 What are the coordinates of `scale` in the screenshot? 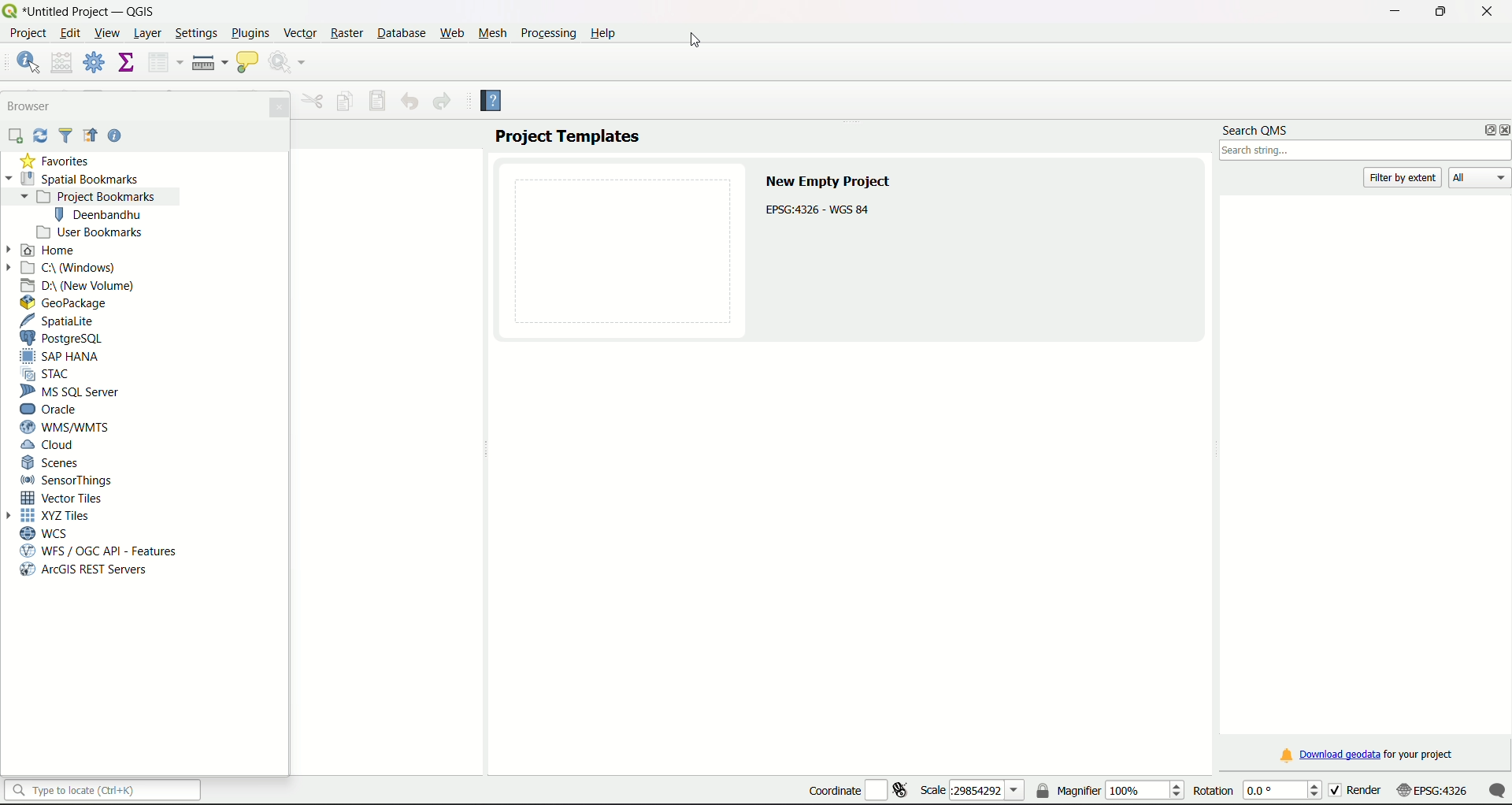 It's located at (972, 791).